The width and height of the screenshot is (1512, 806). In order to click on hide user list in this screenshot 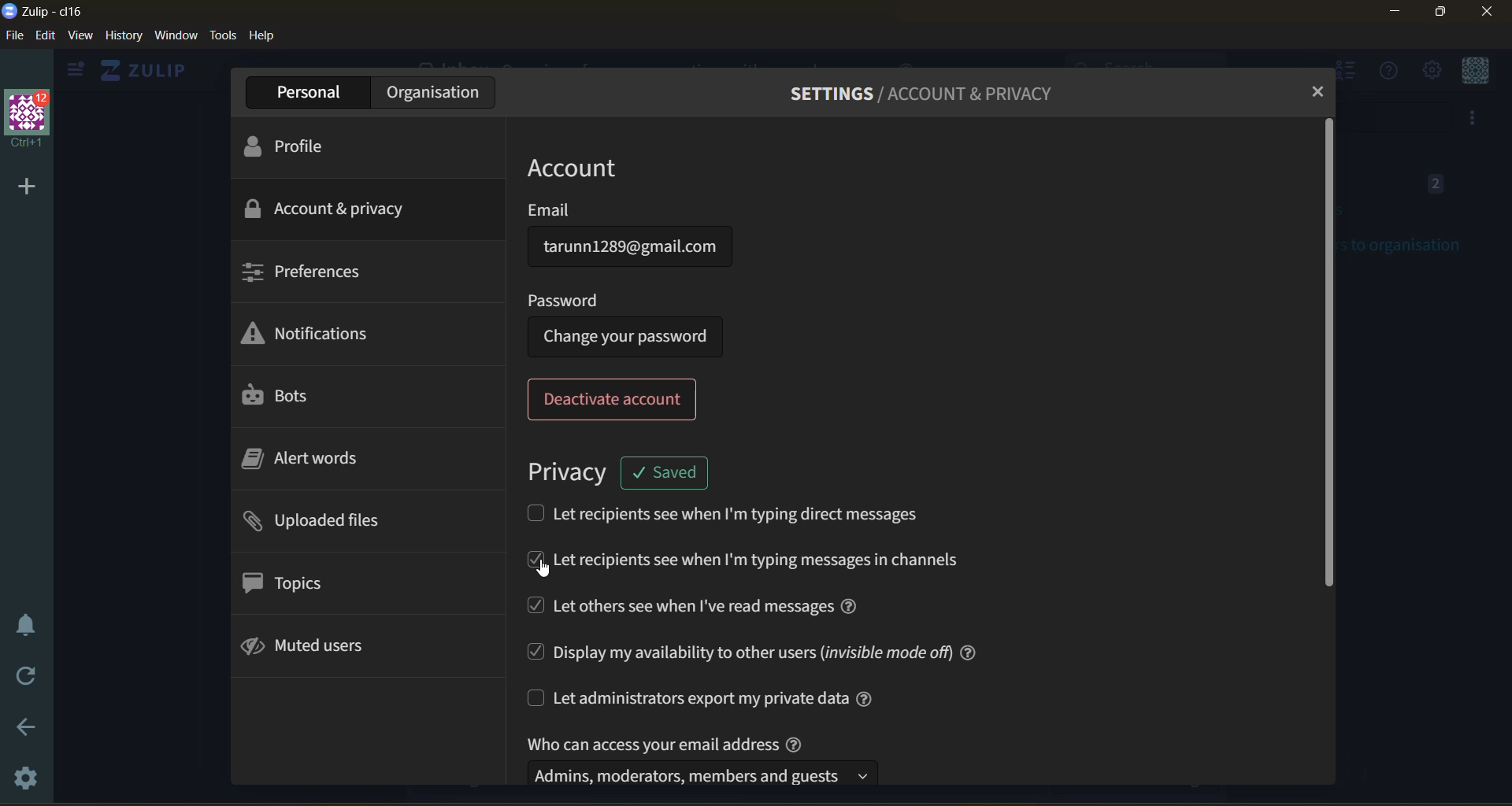, I will do `click(1349, 73)`.